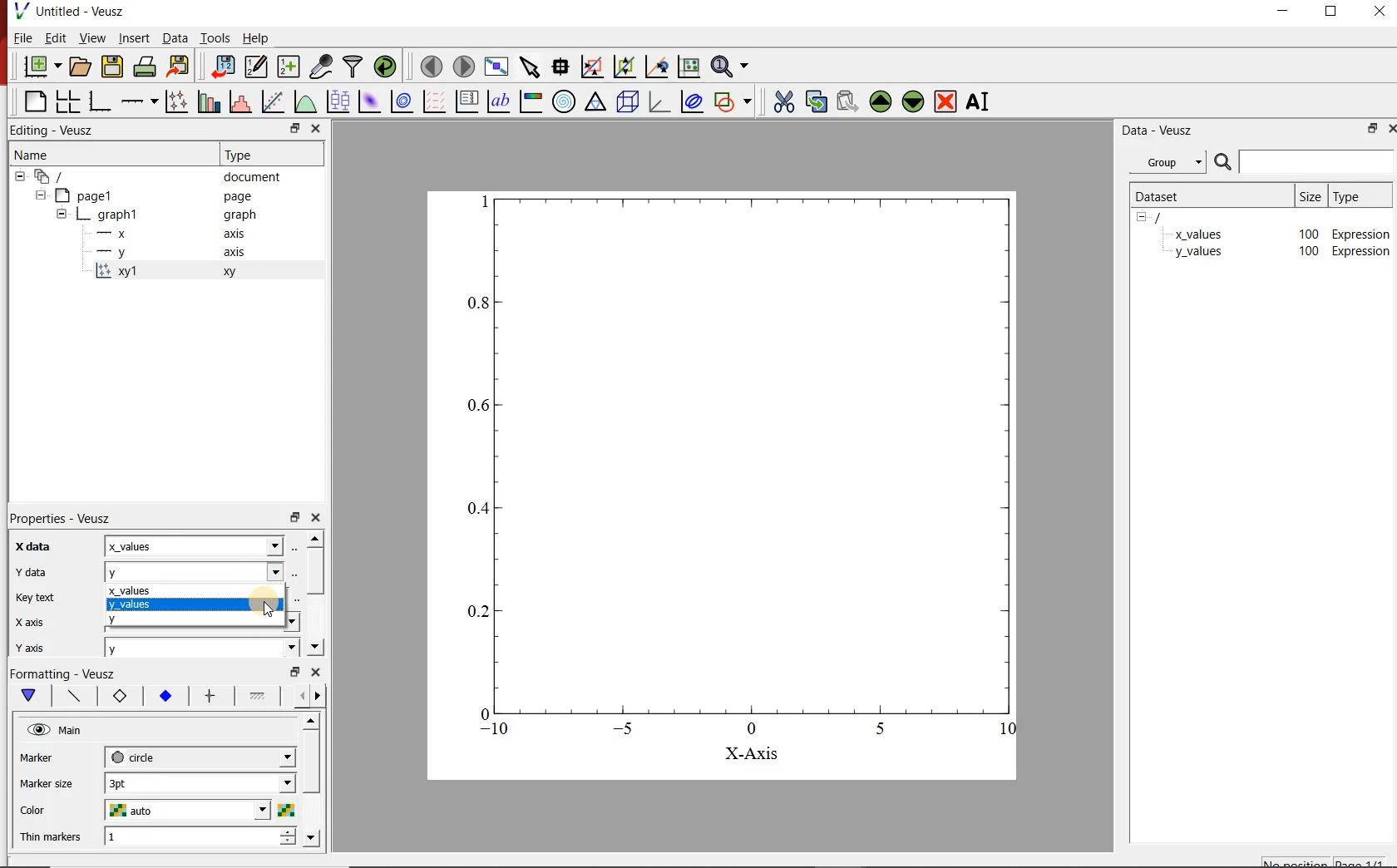  What do you see at coordinates (37, 622) in the screenshot?
I see `| X axis` at bounding box center [37, 622].